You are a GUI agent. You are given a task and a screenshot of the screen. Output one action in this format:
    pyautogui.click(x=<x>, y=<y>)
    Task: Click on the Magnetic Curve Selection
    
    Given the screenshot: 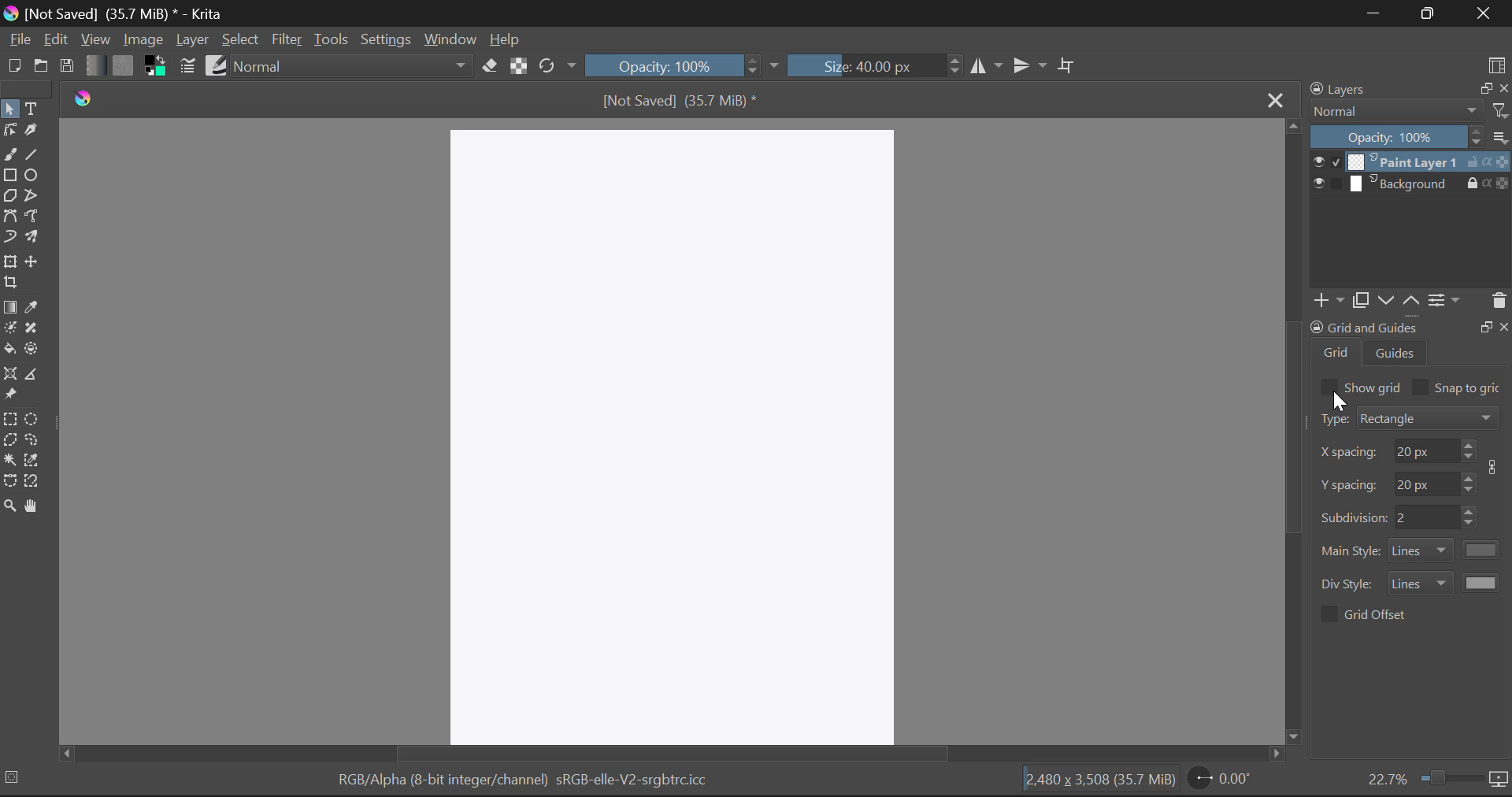 What is the action you would take?
    pyautogui.click(x=34, y=482)
    